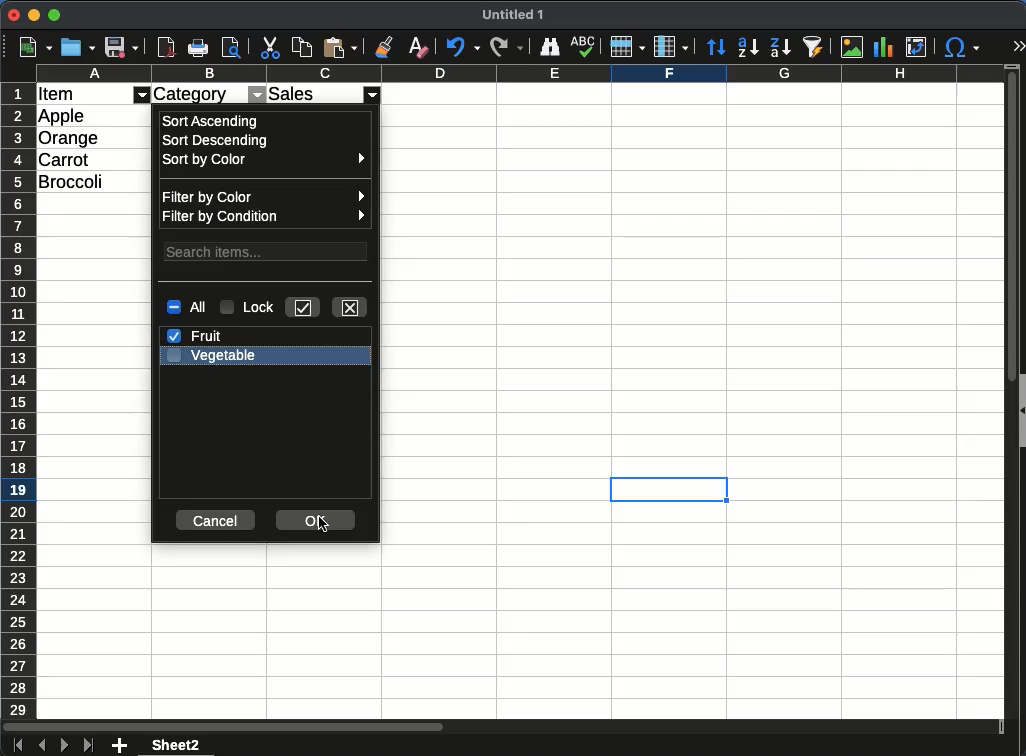  I want to click on finder, so click(550, 47).